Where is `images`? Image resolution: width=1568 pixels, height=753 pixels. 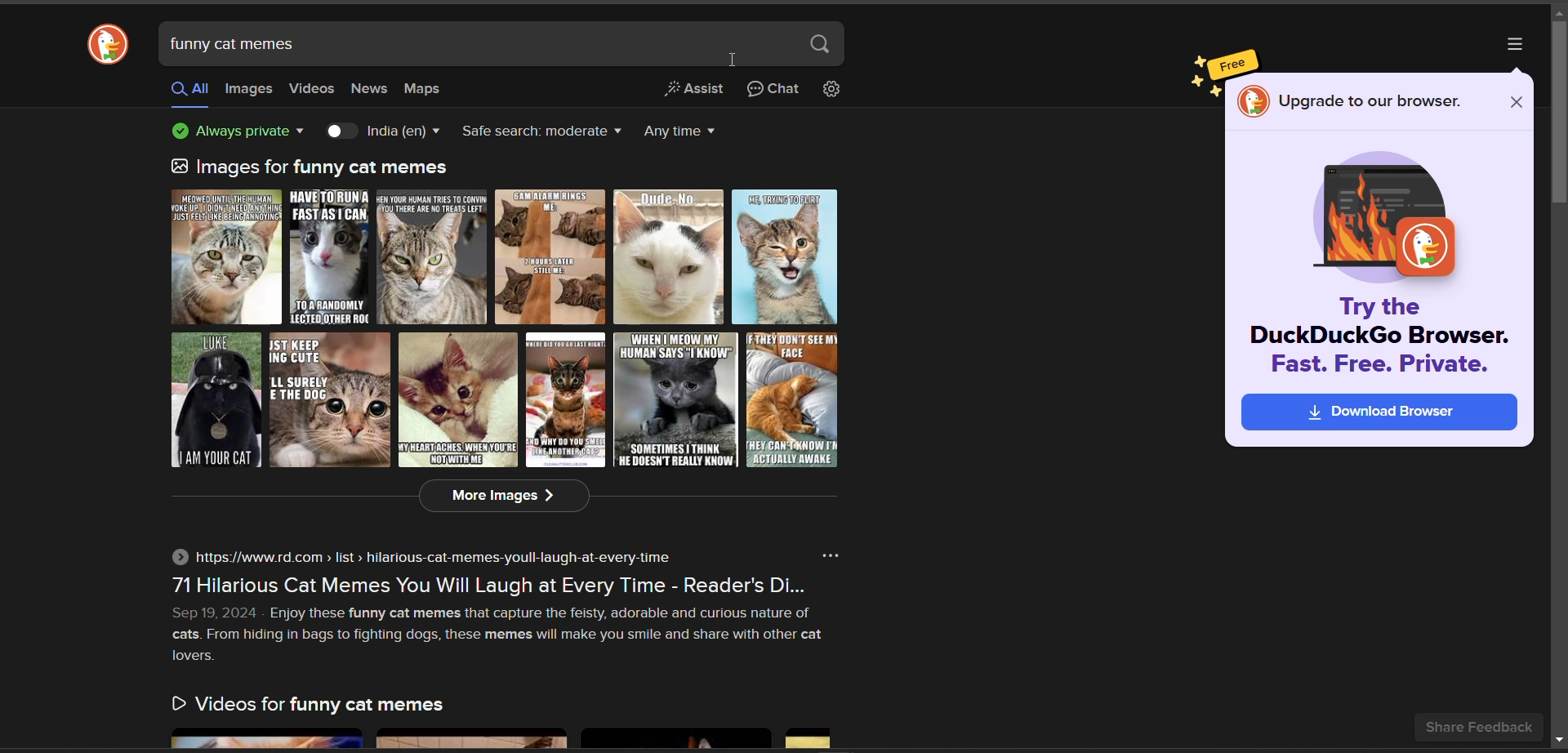
images is located at coordinates (507, 328).